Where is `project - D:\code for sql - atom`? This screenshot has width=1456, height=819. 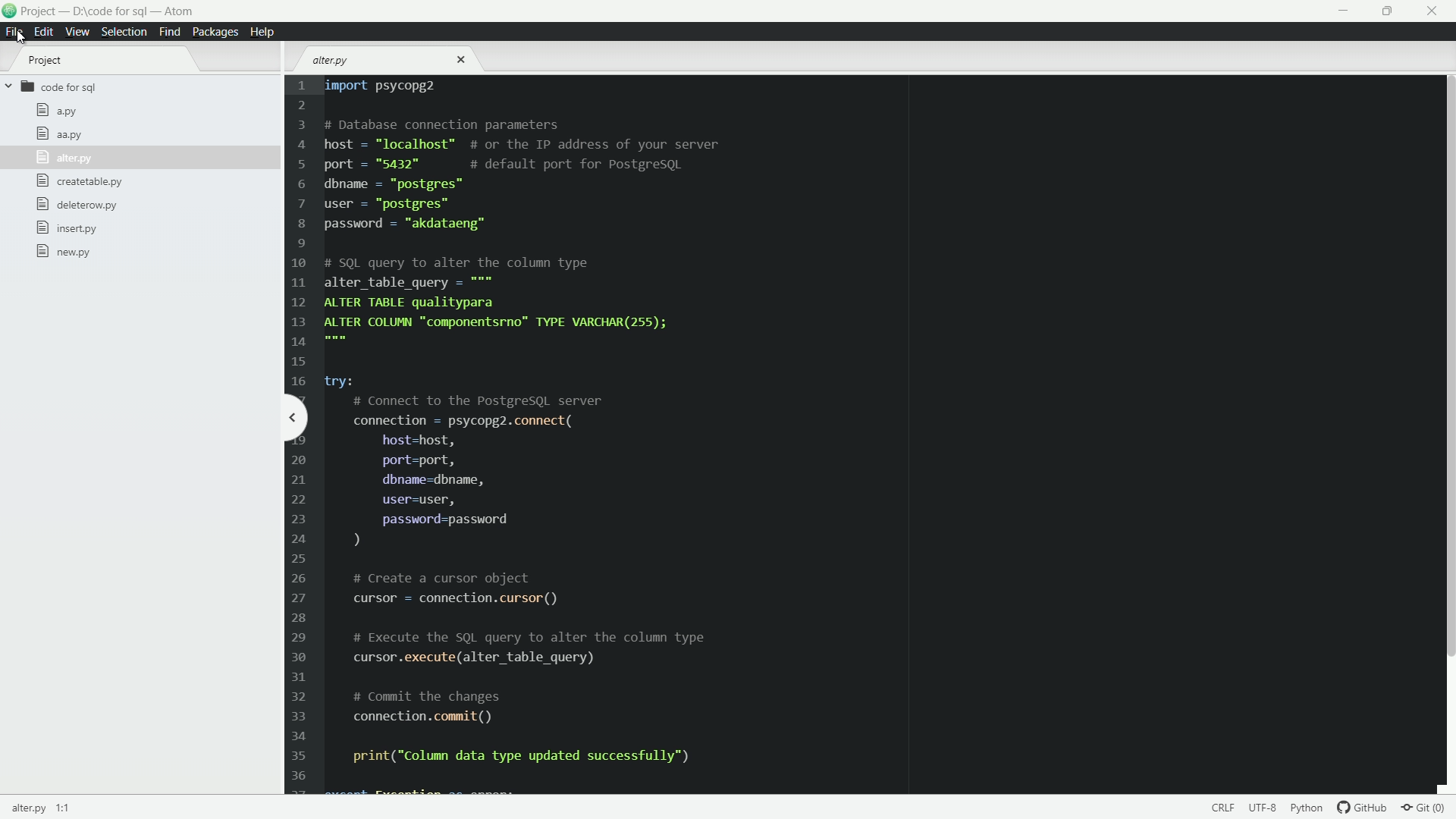 project - D:\code for sql - atom is located at coordinates (110, 12).